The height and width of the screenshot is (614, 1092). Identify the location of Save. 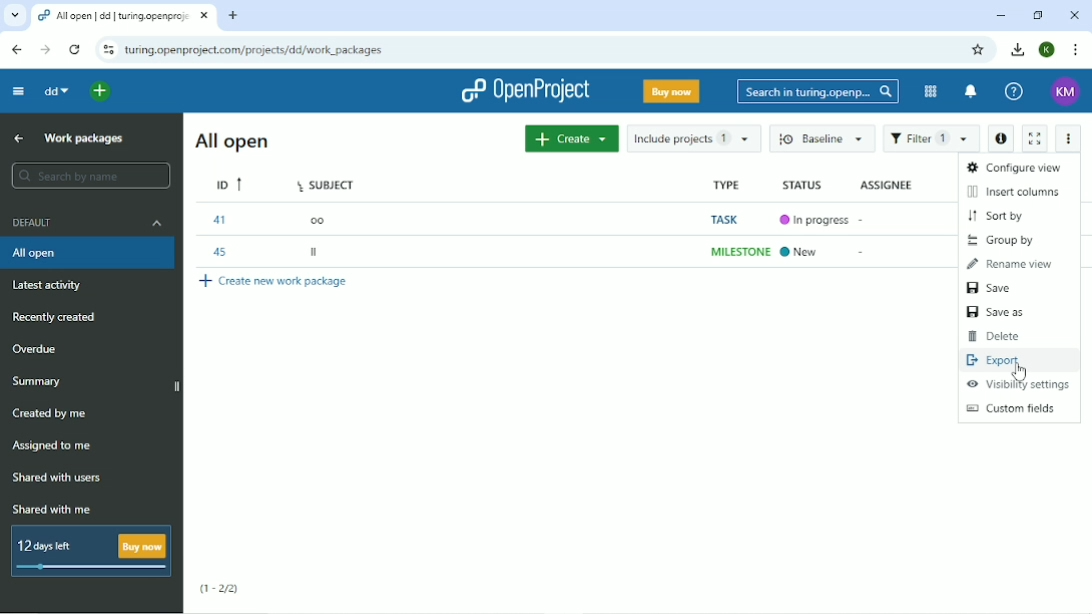
(992, 288).